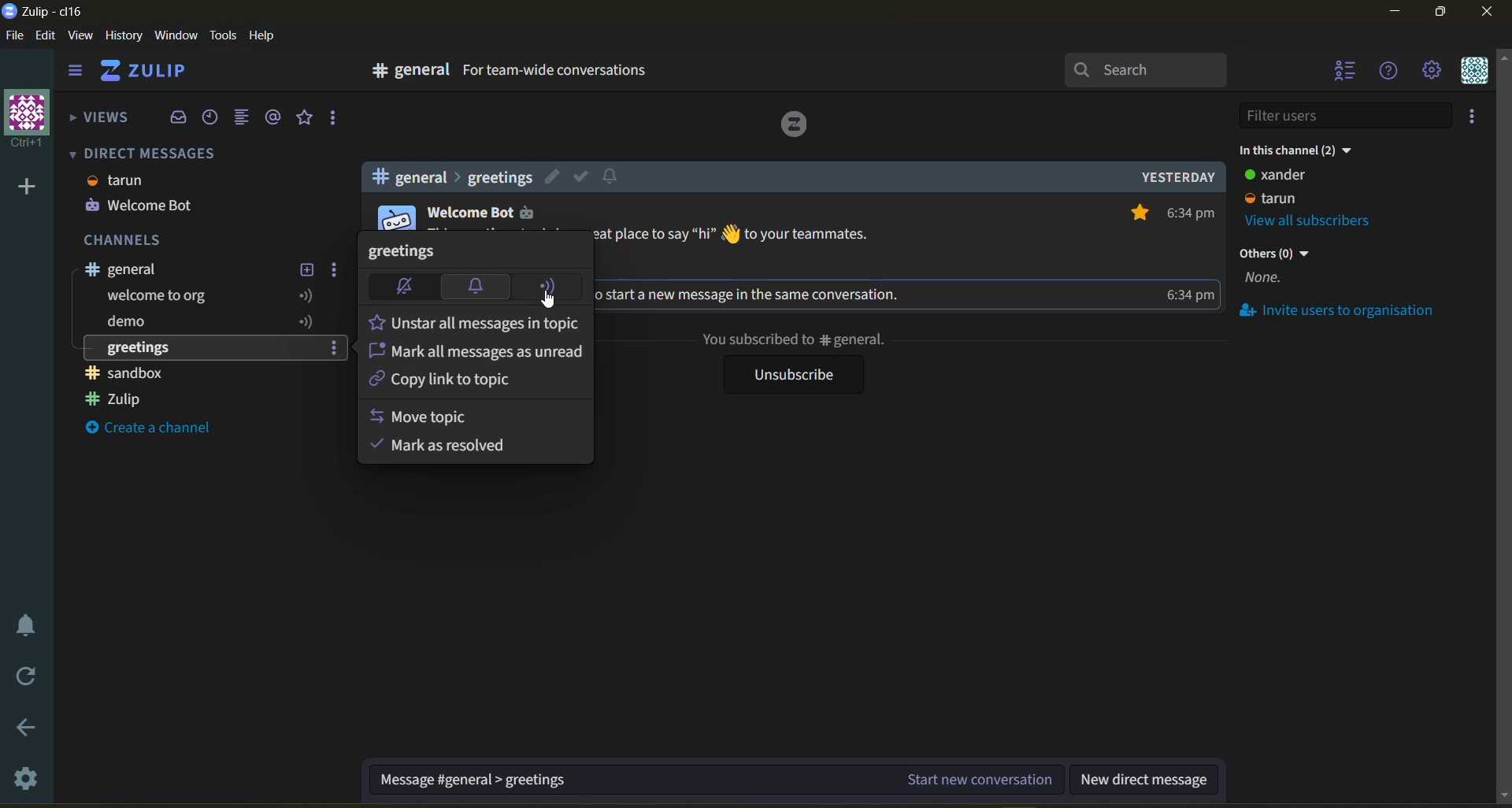 This screenshot has height=808, width=1512. What do you see at coordinates (1346, 72) in the screenshot?
I see `hide user list` at bounding box center [1346, 72].